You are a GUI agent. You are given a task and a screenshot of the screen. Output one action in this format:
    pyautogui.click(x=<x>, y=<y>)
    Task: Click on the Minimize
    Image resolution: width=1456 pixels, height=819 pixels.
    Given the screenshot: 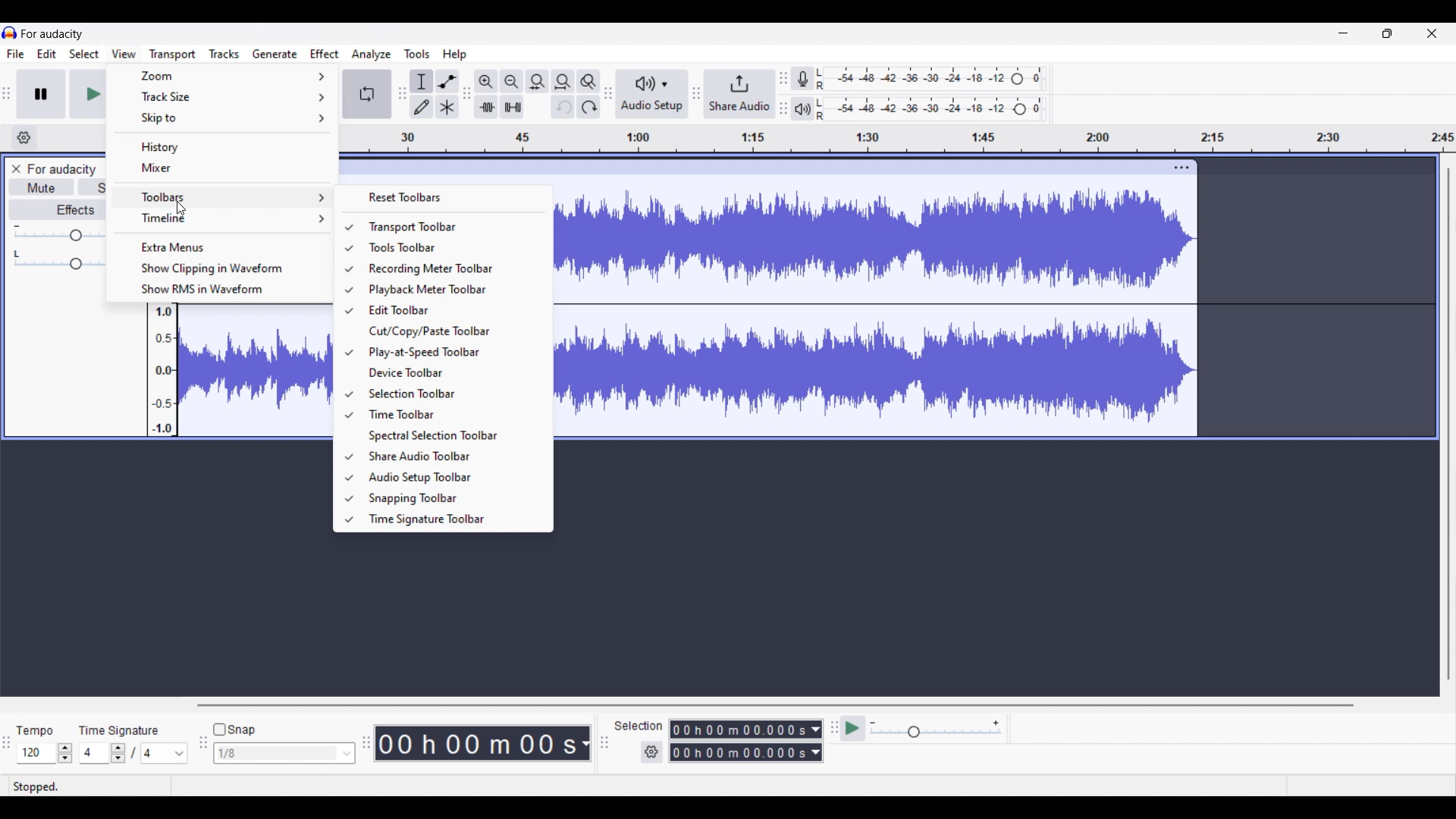 What is the action you would take?
    pyautogui.click(x=1344, y=33)
    